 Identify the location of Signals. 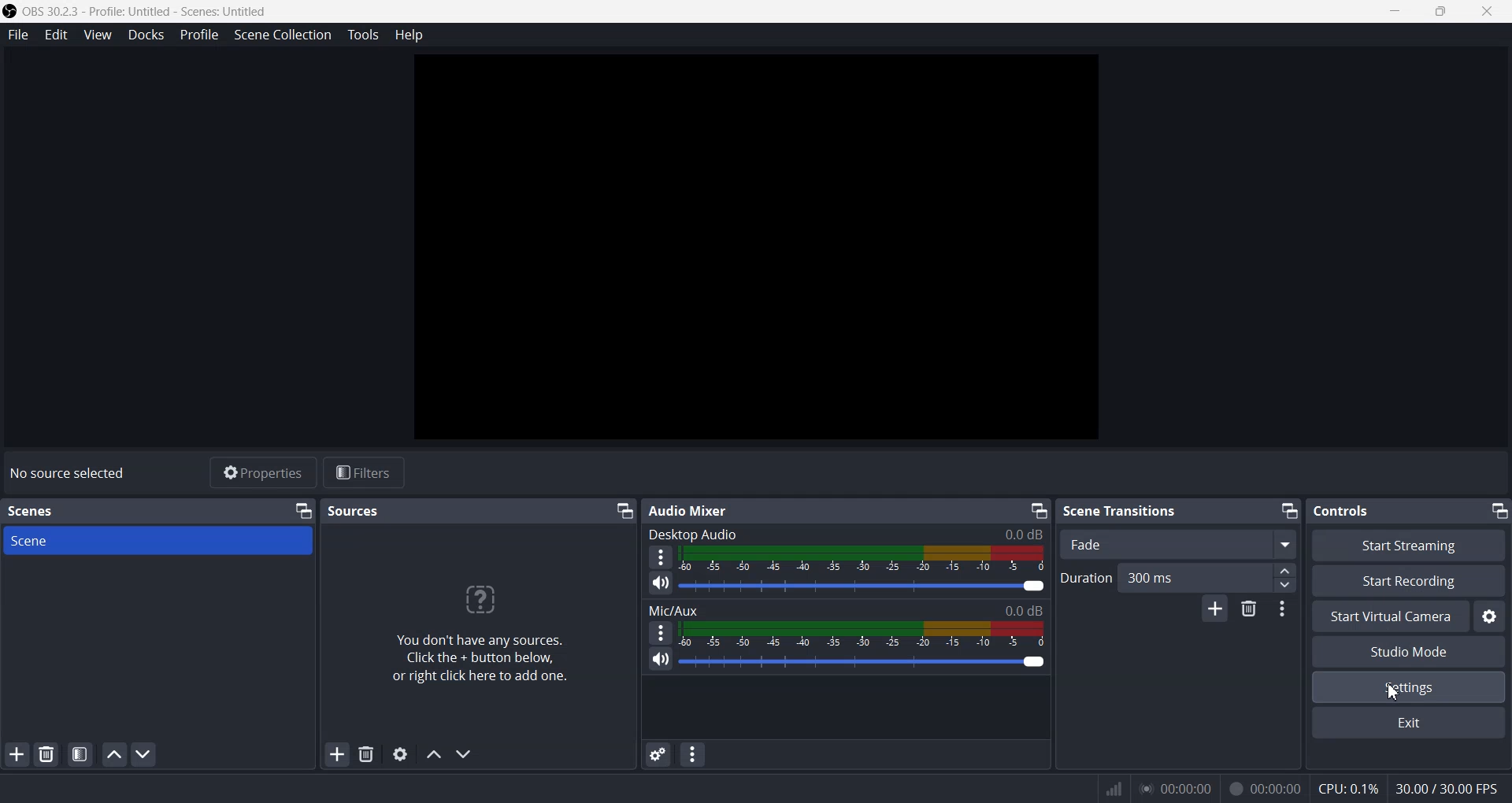
(1106, 787).